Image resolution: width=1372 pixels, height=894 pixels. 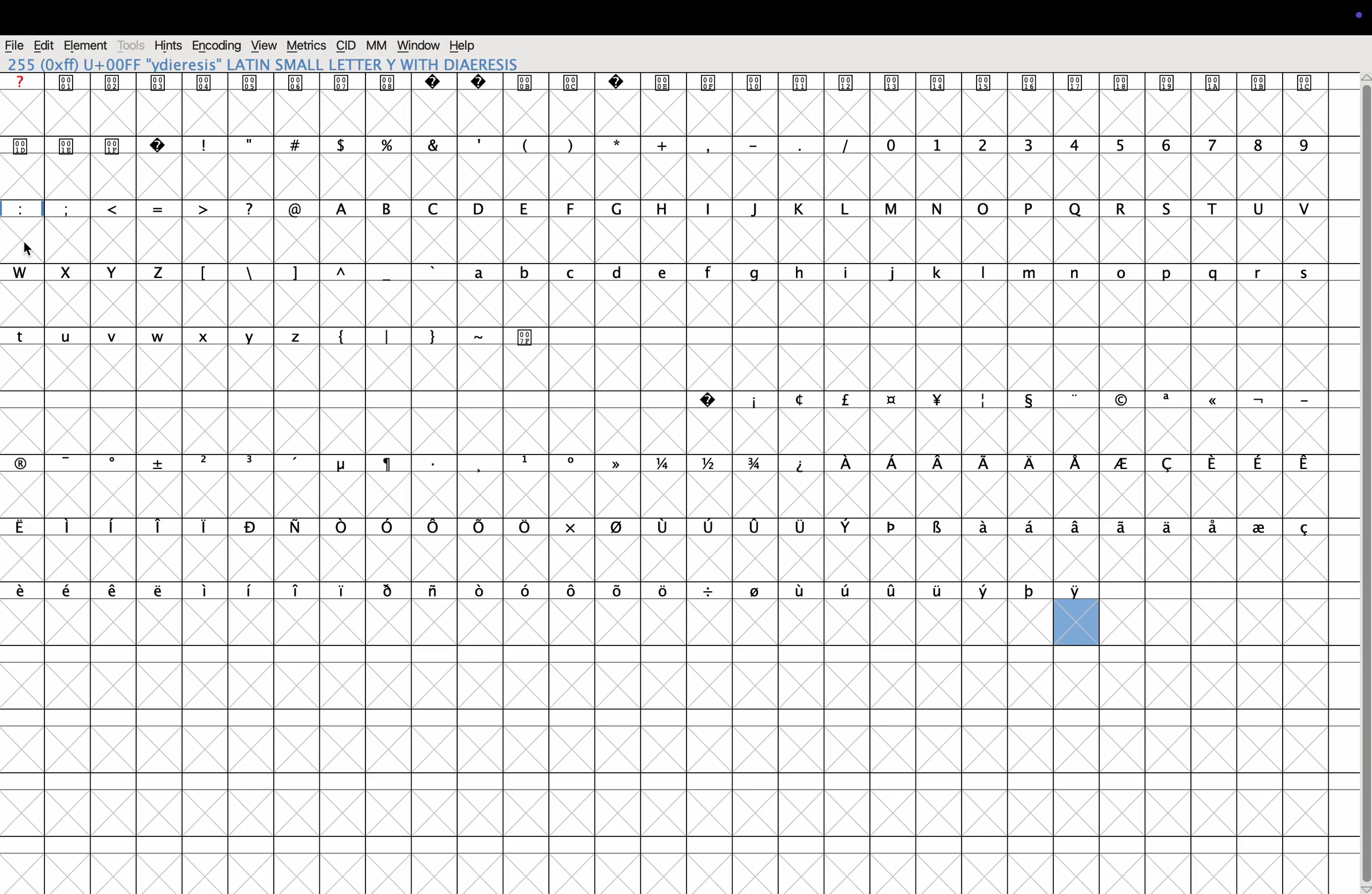 What do you see at coordinates (265, 65) in the screenshot?
I see `255 LATIN SMALL LETTER Y WITH DIAERESIS` at bounding box center [265, 65].